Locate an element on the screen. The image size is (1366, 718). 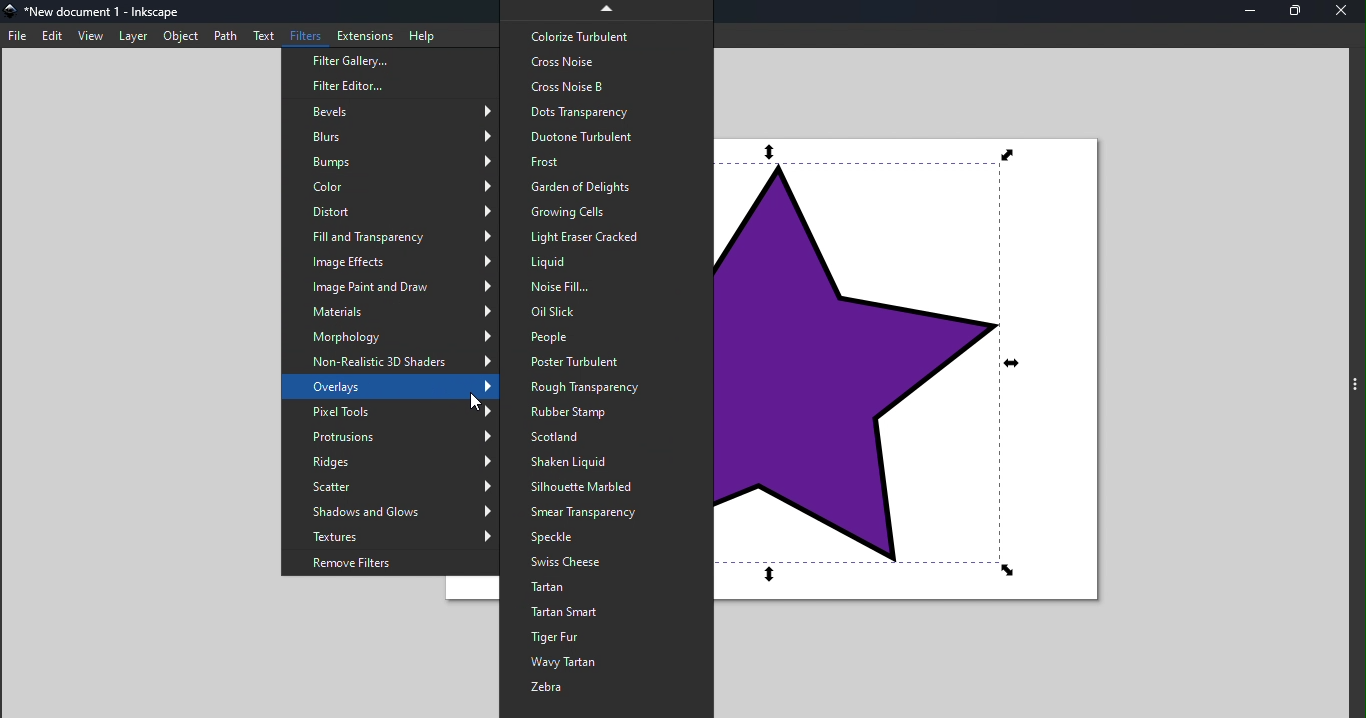
Smear transparency is located at coordinates (607, 512).